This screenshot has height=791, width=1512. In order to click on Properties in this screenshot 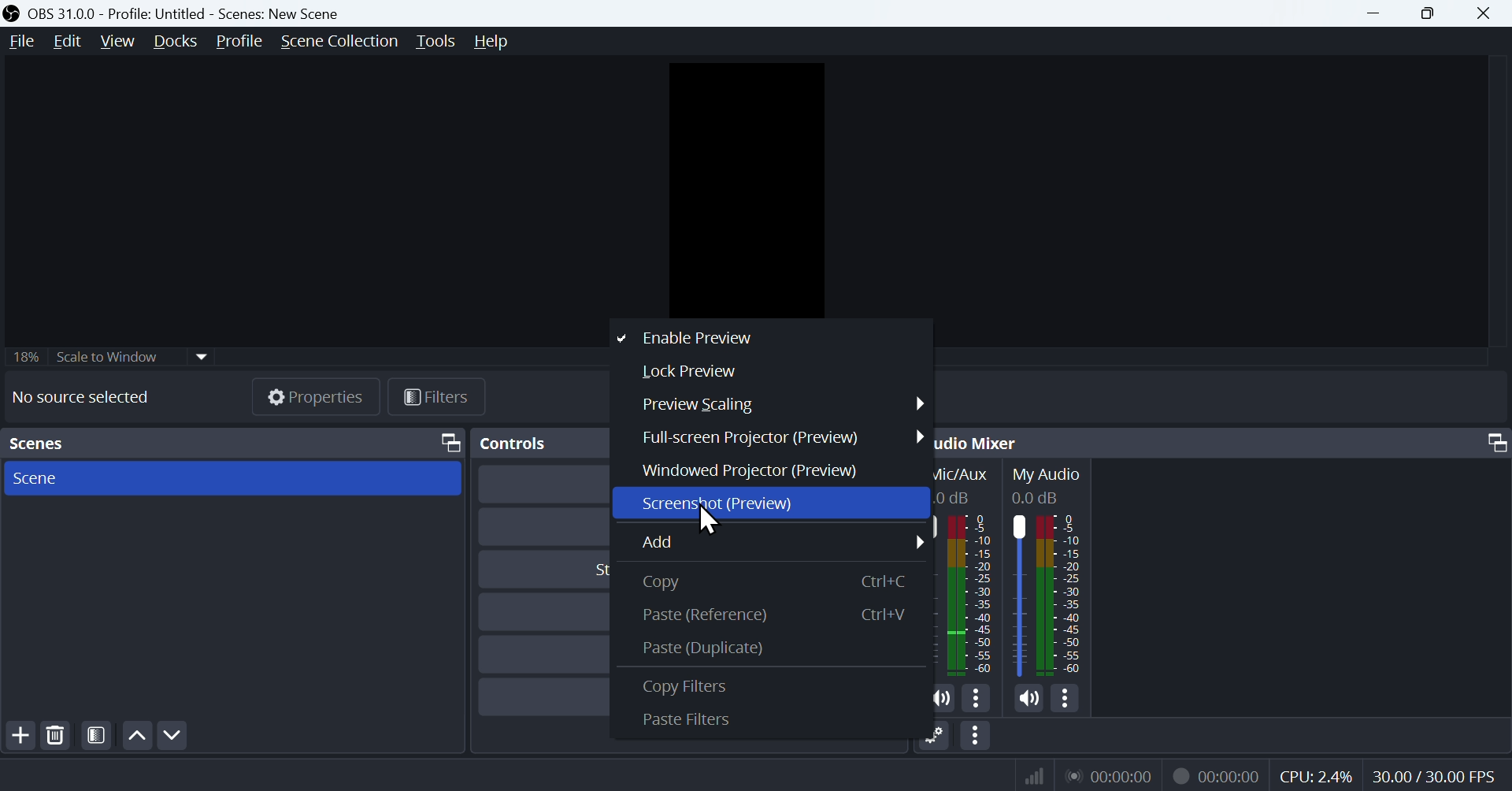, I will do `click(311, 392)`.